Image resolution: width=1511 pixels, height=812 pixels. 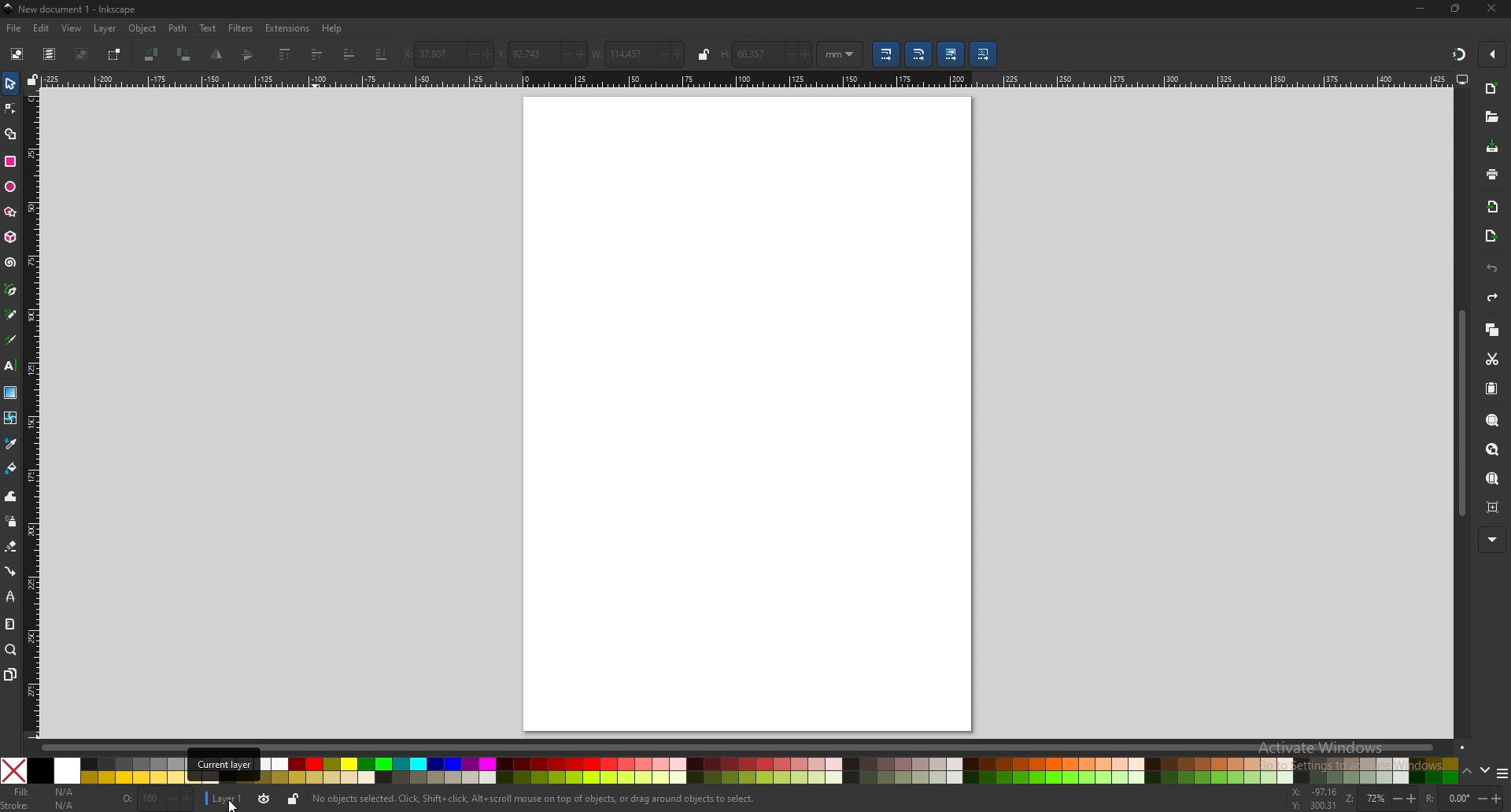 I want to click on calligrapghy, so click(x=10, y=340).